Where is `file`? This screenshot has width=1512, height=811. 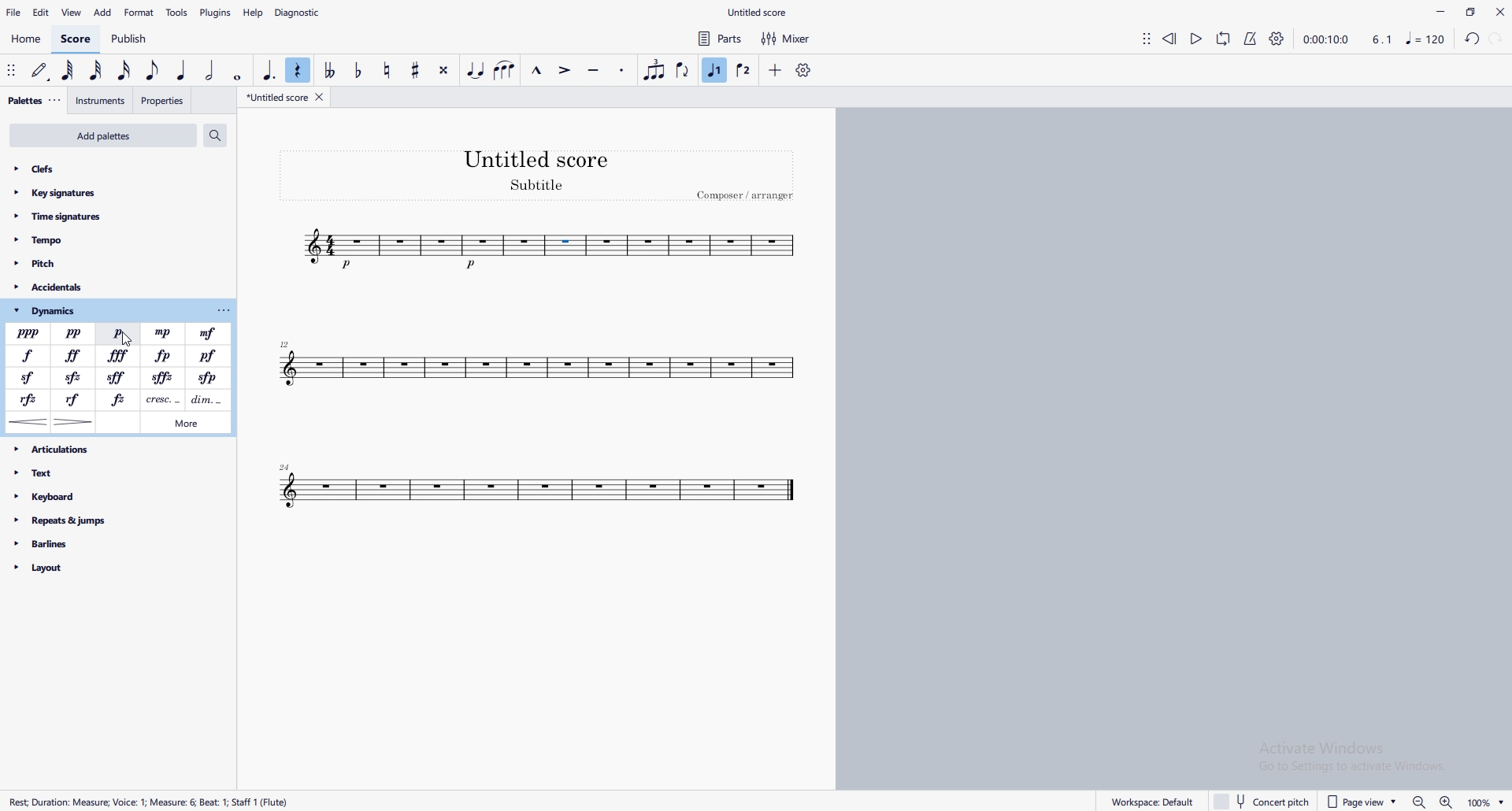
file is located at coordinates (14, 13).